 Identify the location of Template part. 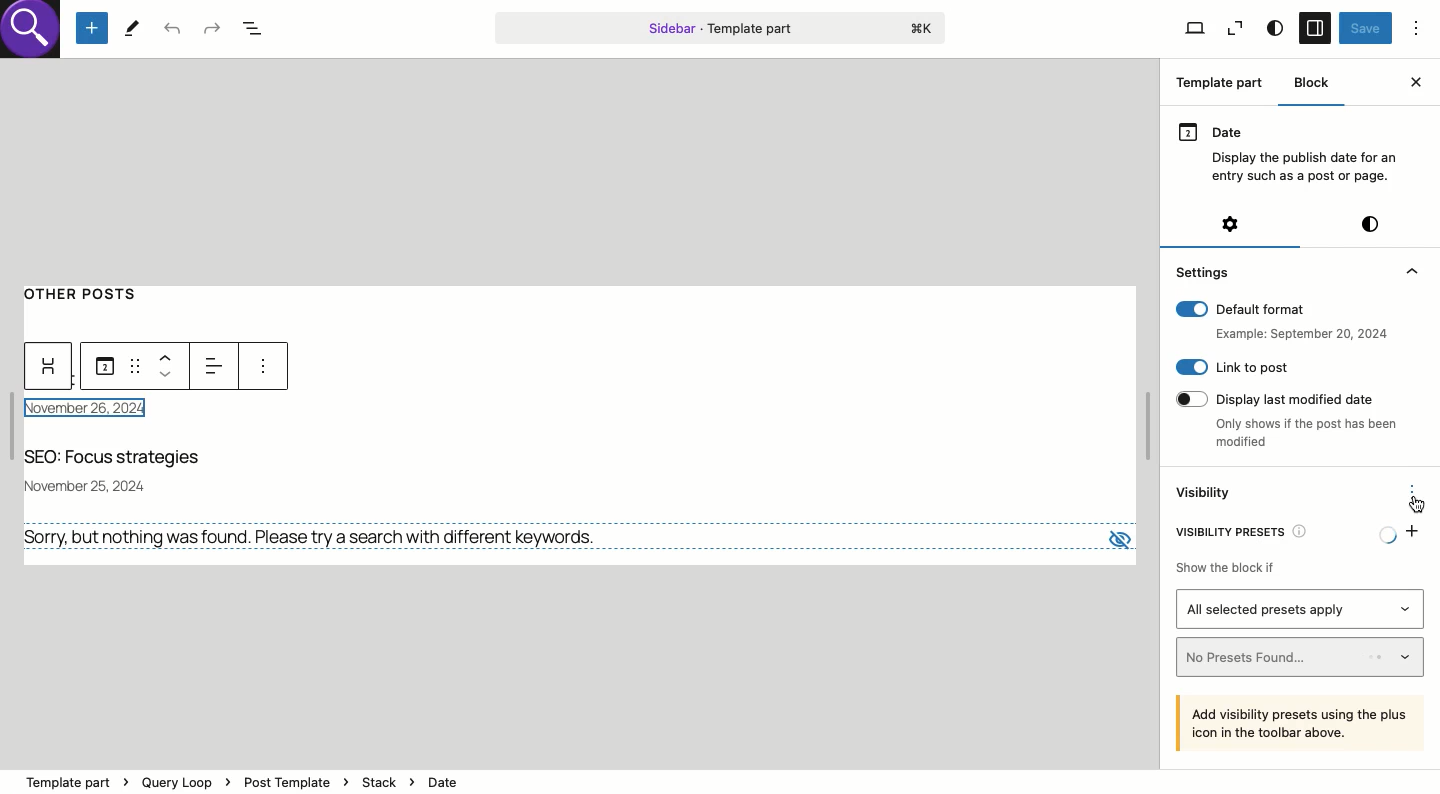
(1224, 85).